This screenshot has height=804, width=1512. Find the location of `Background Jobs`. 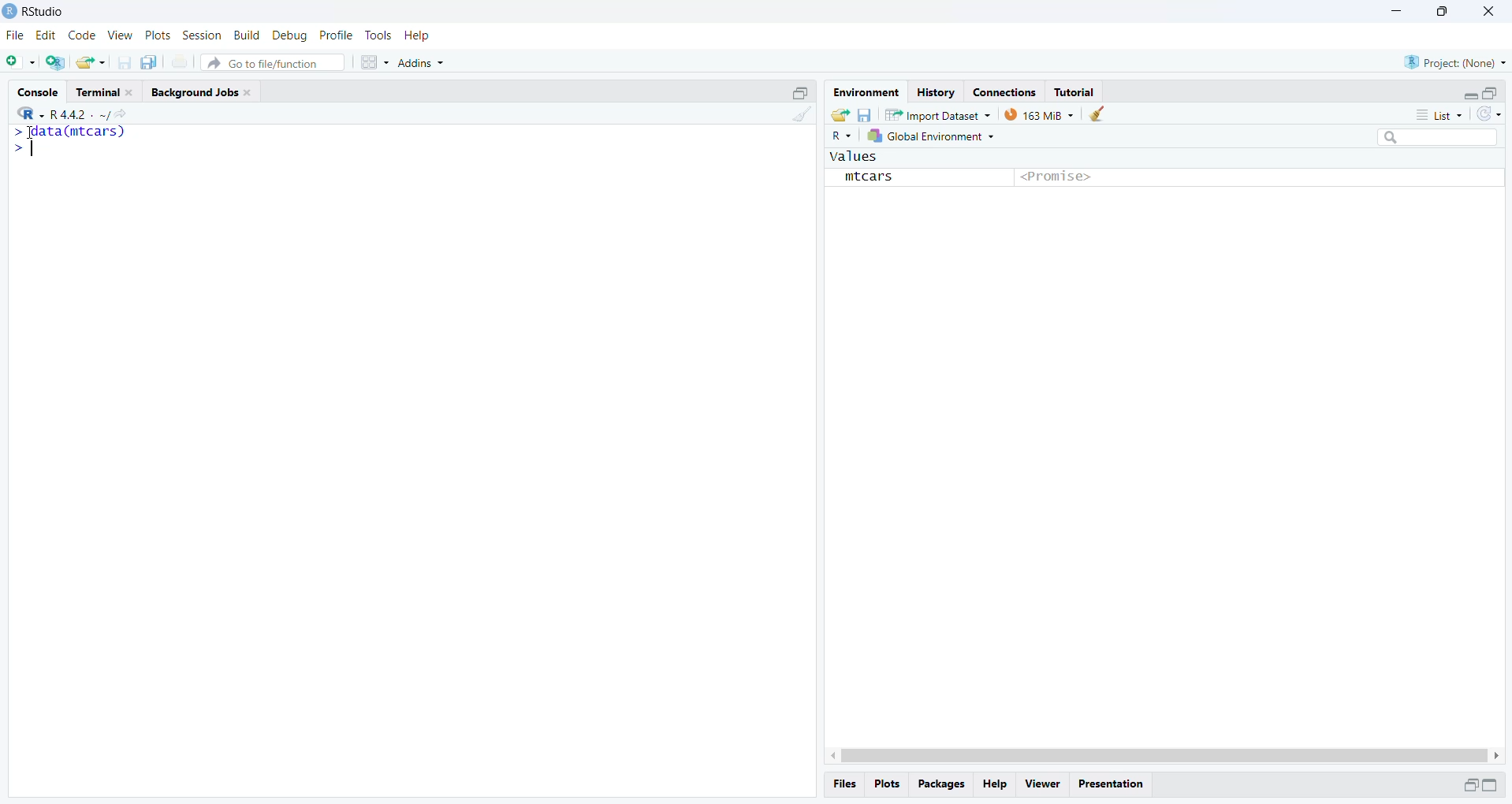

Background Jobs is located at coordinates (193, 92).